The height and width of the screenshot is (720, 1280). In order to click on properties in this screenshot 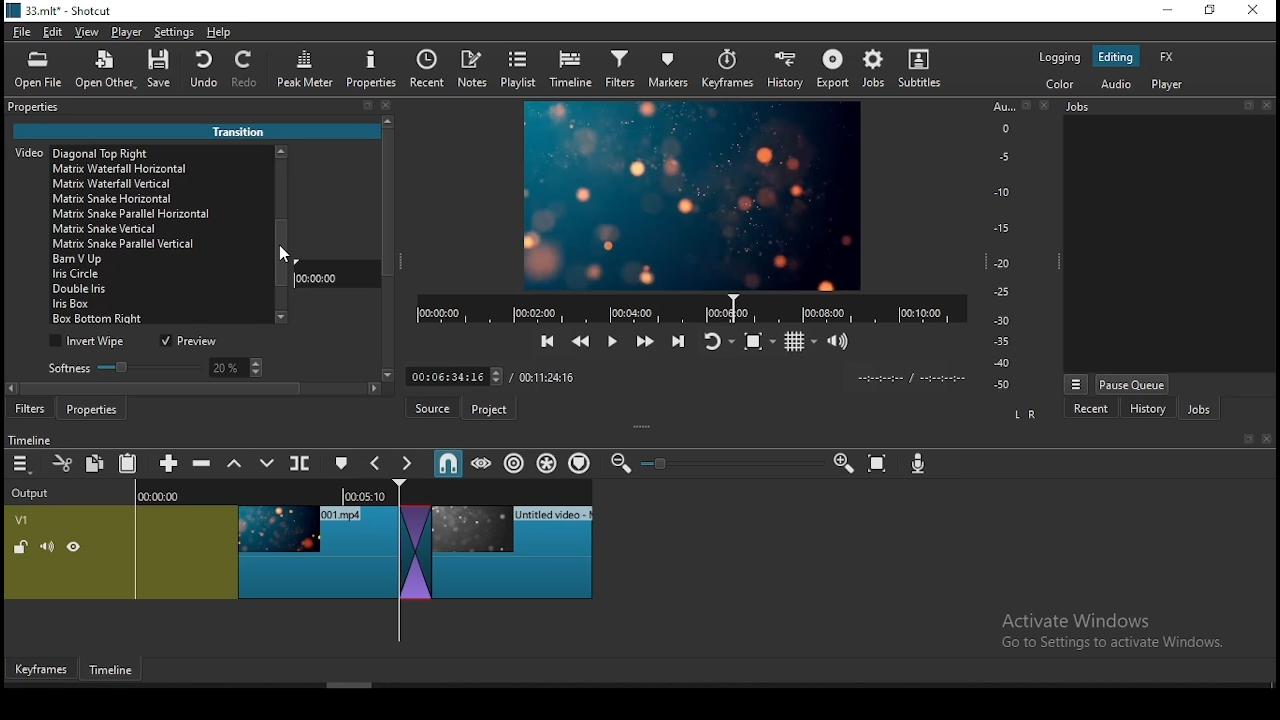, I will do `click(371, 69)`.